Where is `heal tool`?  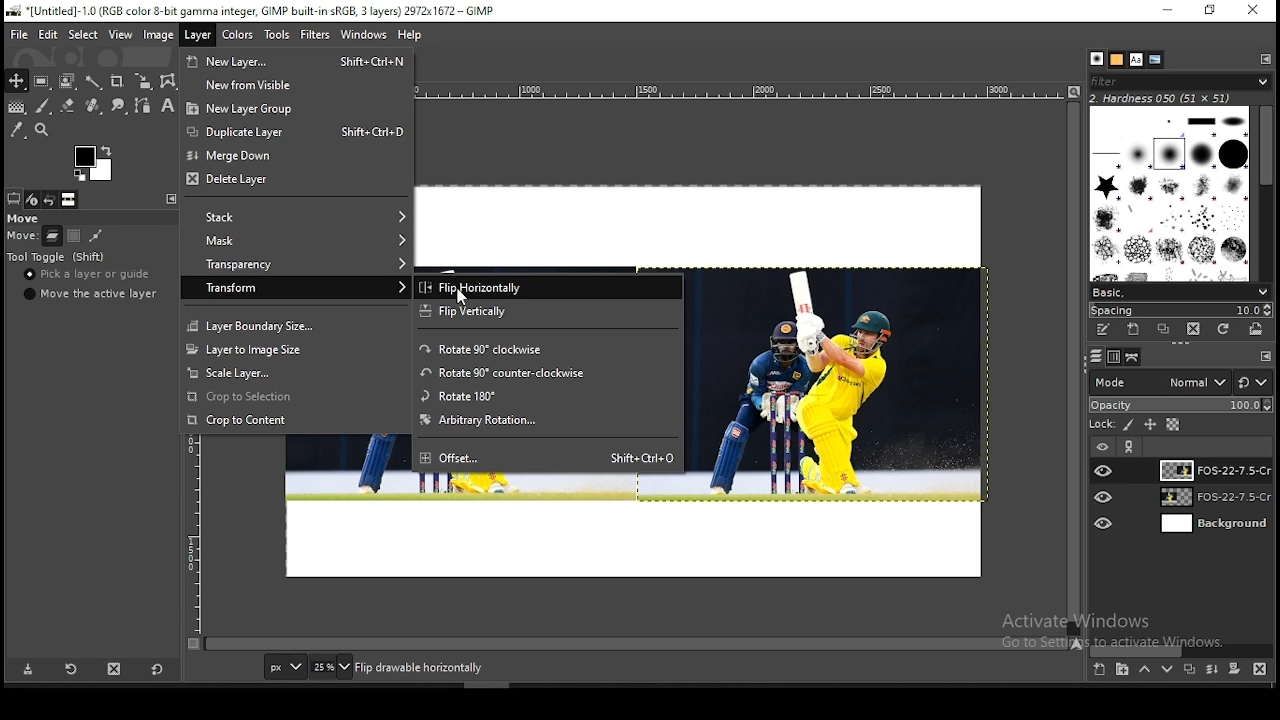 heal tool is located at coordinates (91, 107).